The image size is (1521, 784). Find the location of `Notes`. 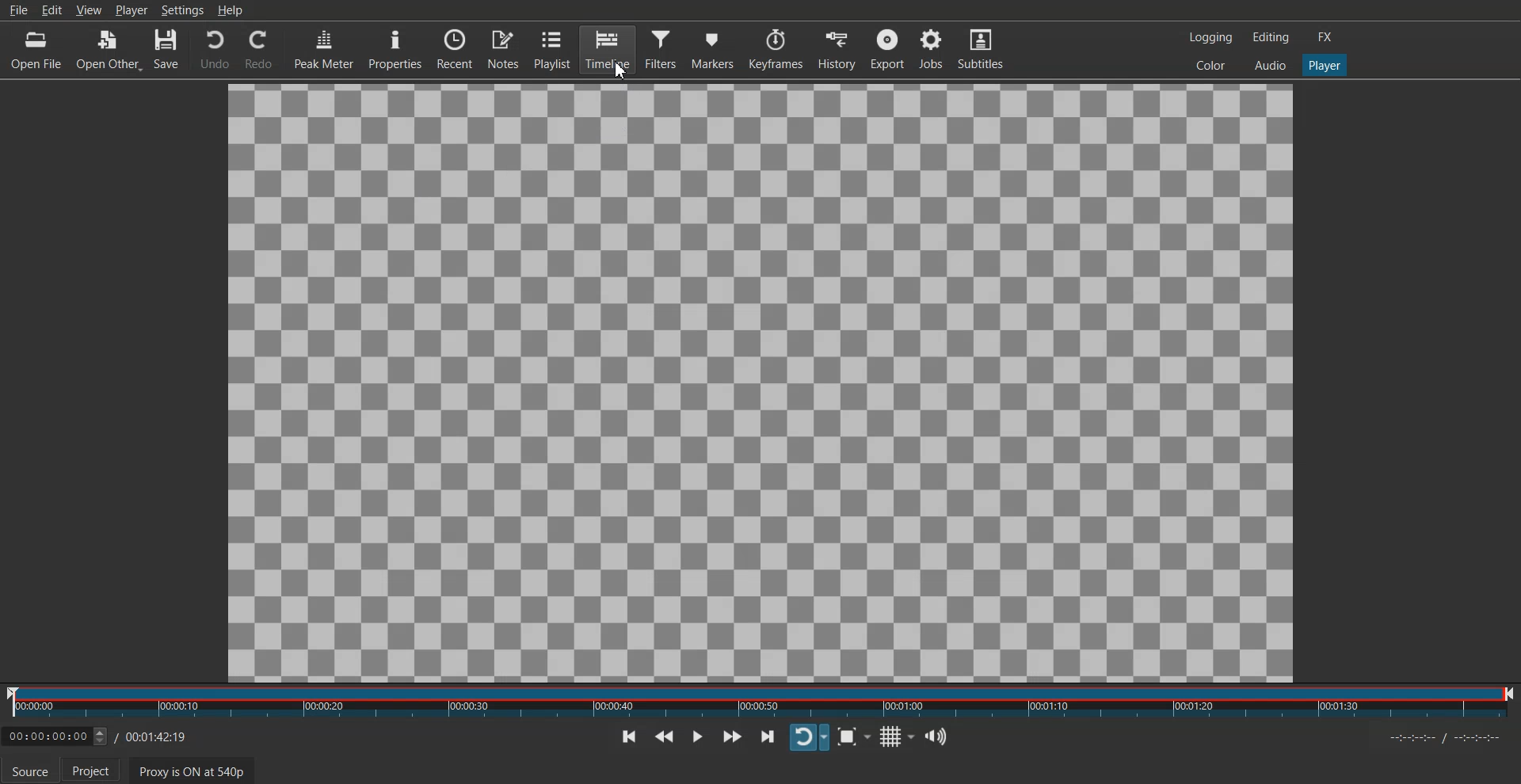

Notes is located at coordinates (503, 48).